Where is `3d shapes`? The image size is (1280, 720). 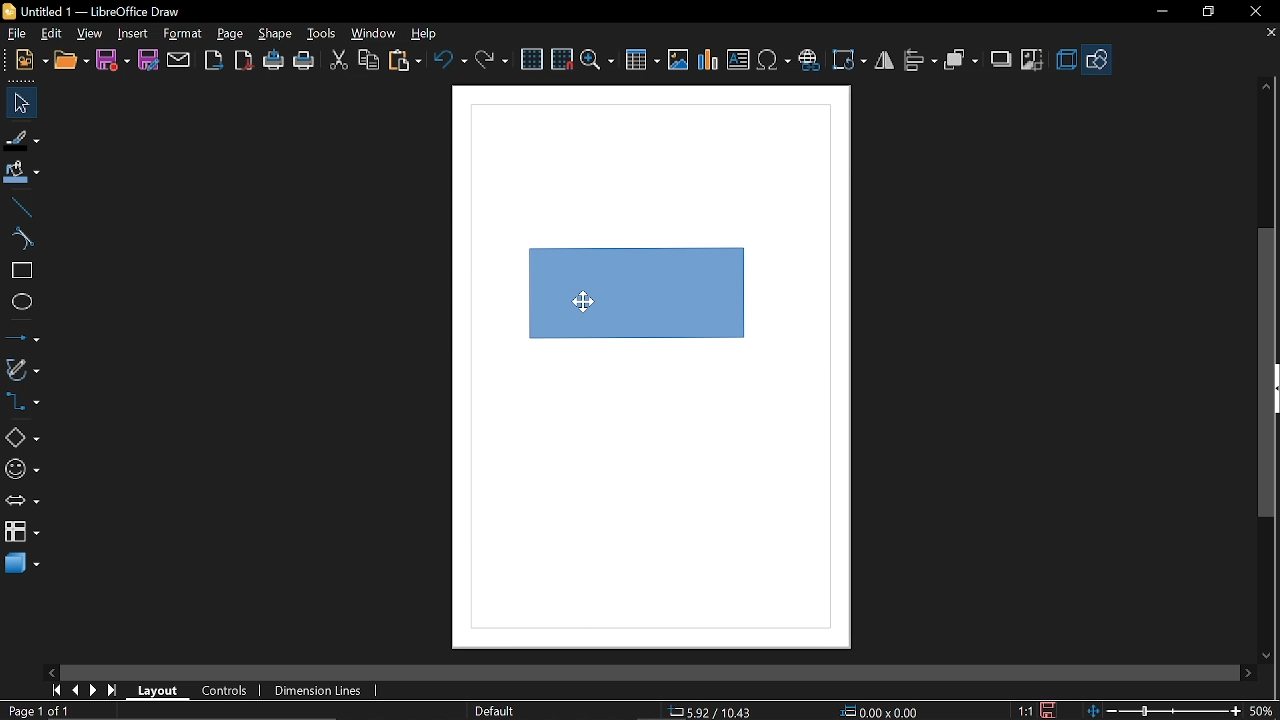 3d shapes is located at coordinates (22, 564).